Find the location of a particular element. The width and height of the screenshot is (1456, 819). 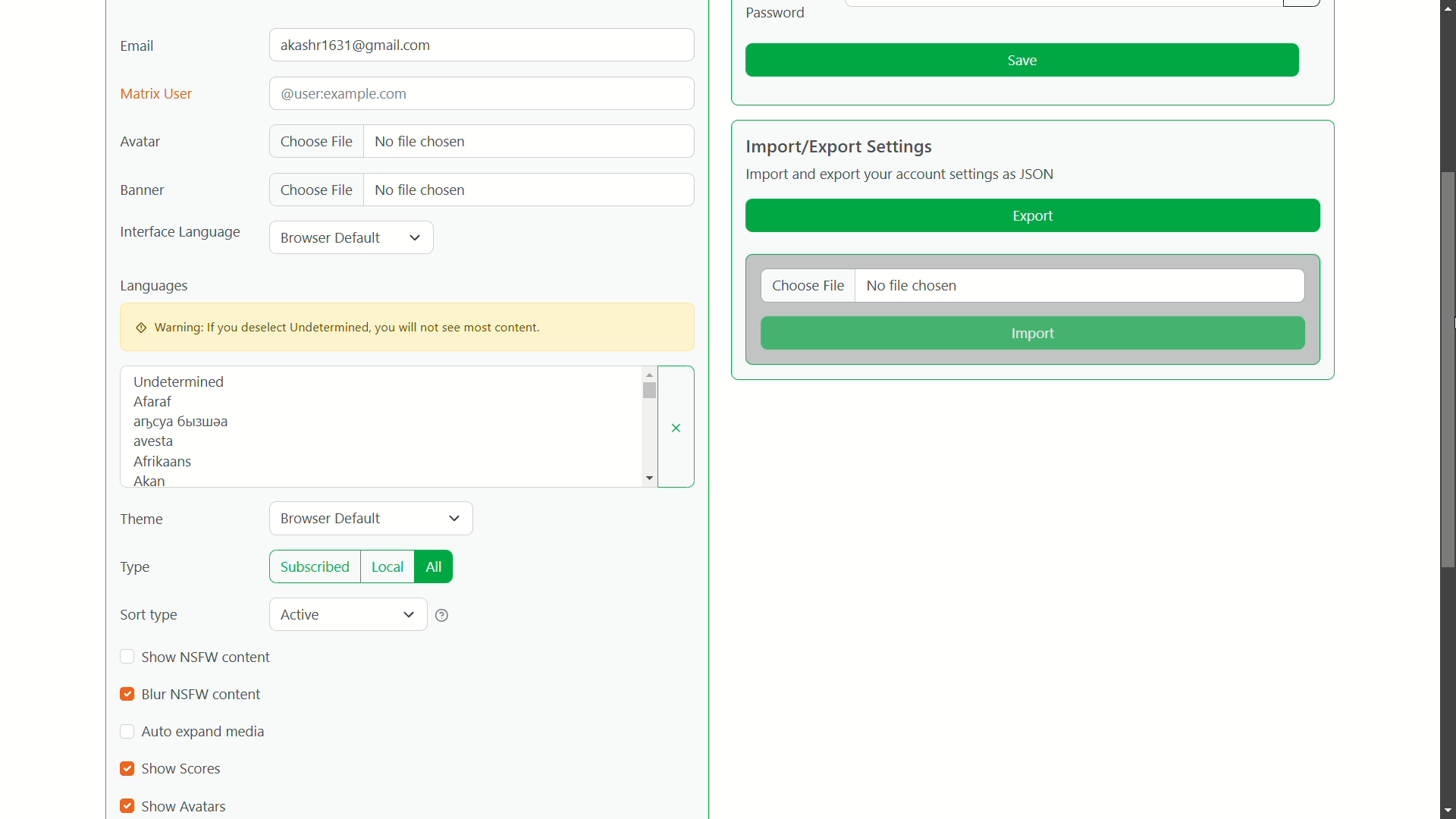

afrikaans is located at coordinates (163, 461).